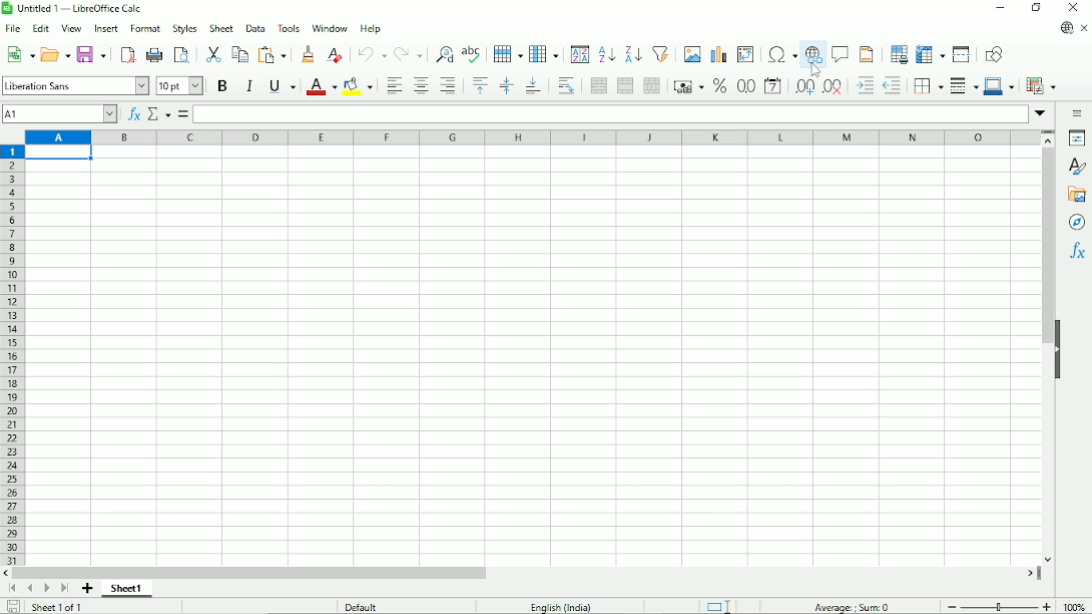 The width and height of the screenshot is (1092, 614). Describe the element at coordinates (930, 53) in the screenshot. I see `Freeze rows and columns` at that location.